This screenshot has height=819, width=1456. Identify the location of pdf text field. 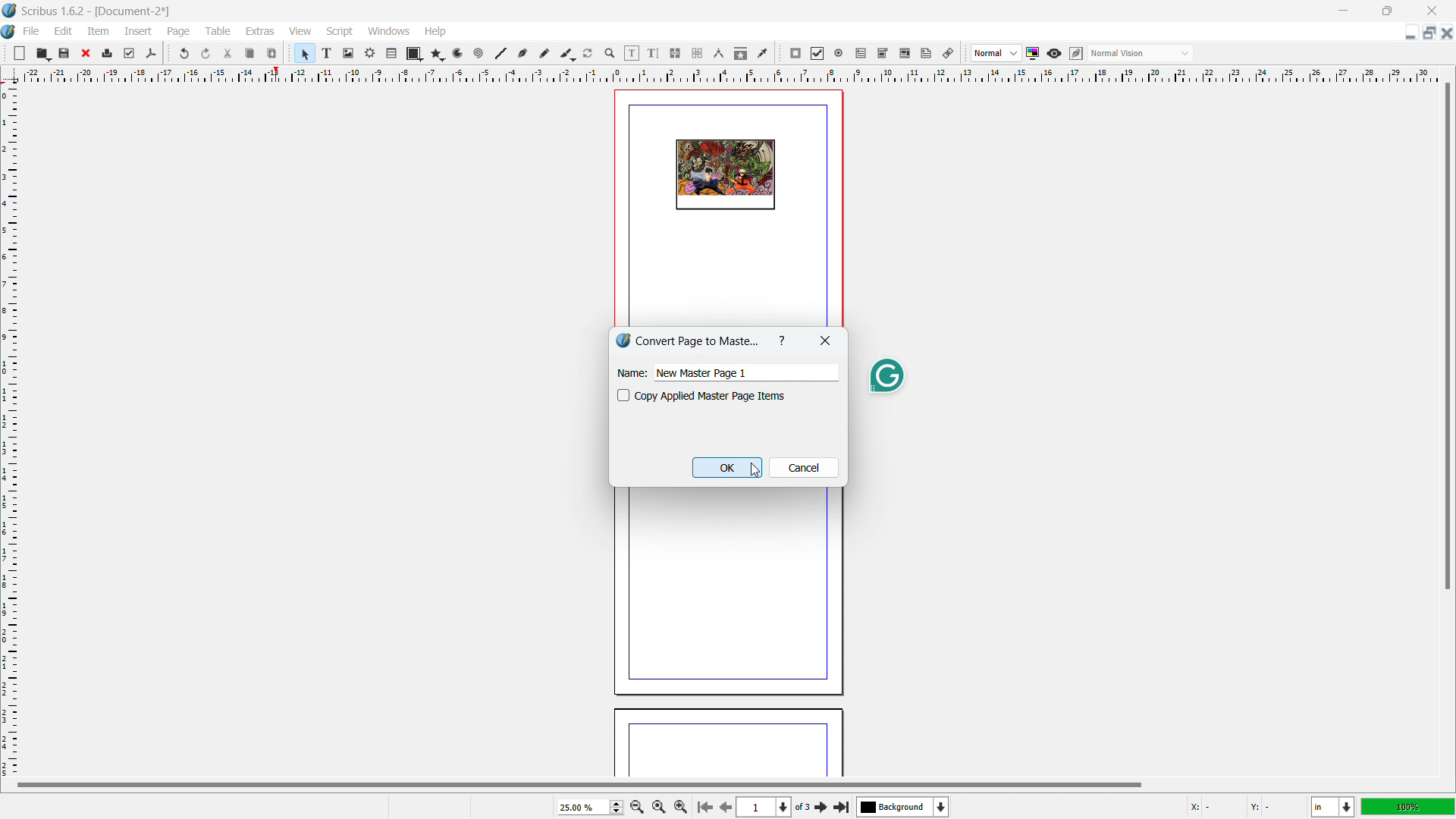
(861, 54).